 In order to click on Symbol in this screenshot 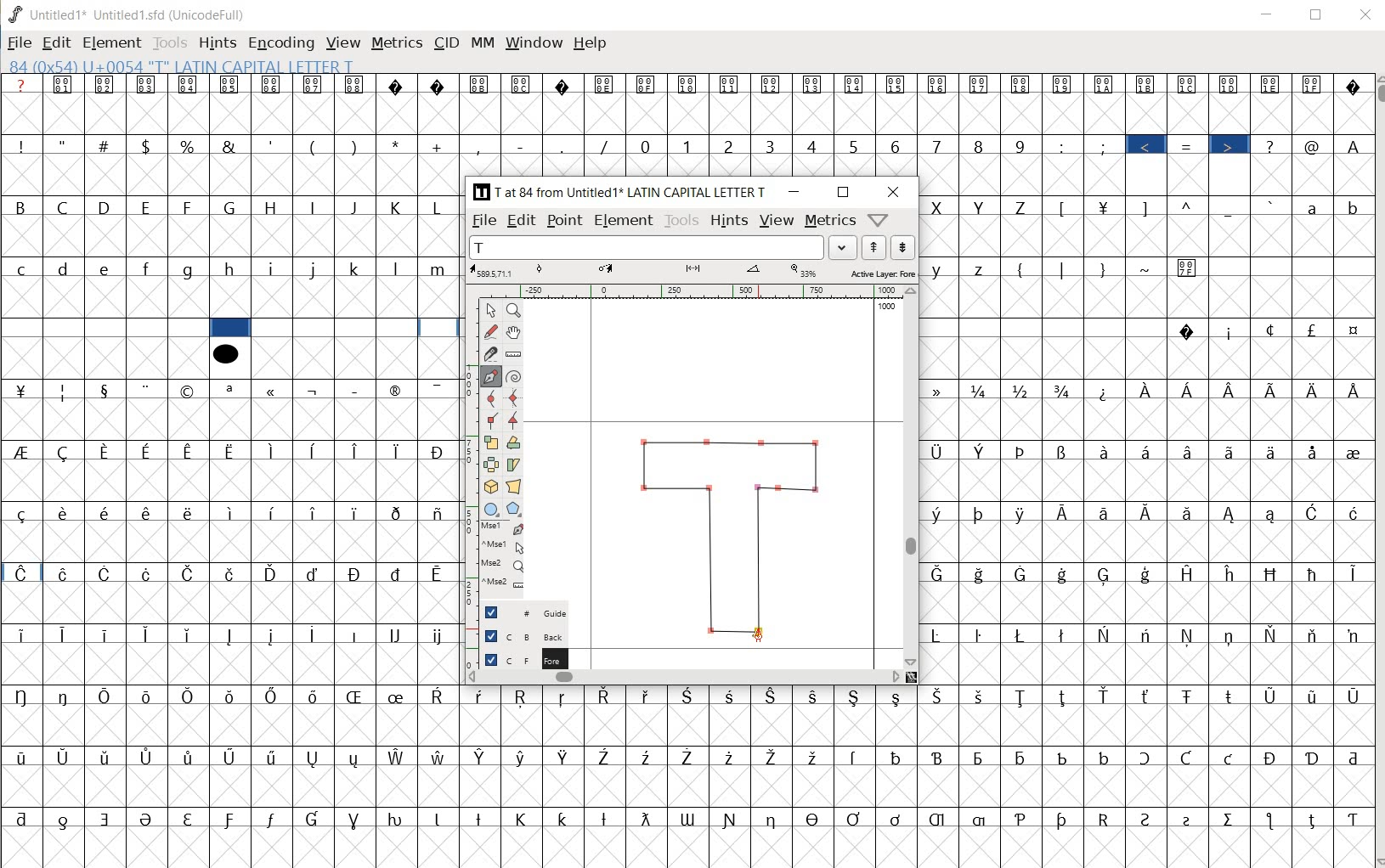, I will do `click(1314, 389)`.